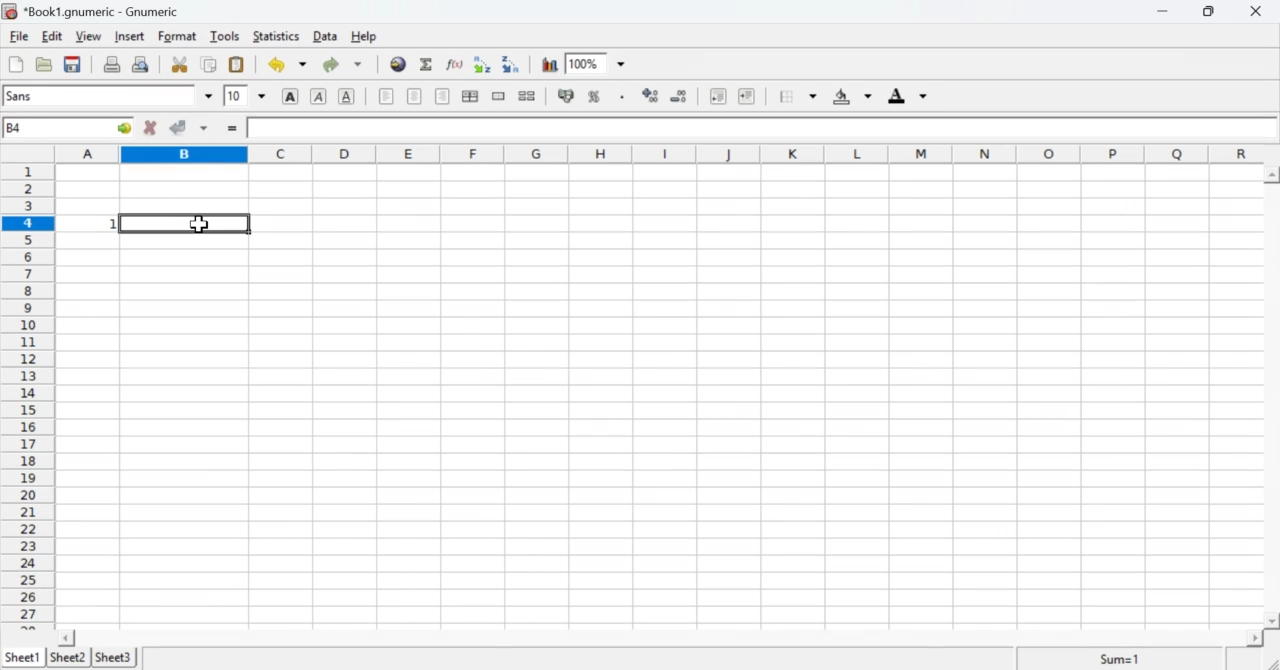 The height and width of the screenshot is (670, 1280). I want to click on scroll down, so click(1272, 621).